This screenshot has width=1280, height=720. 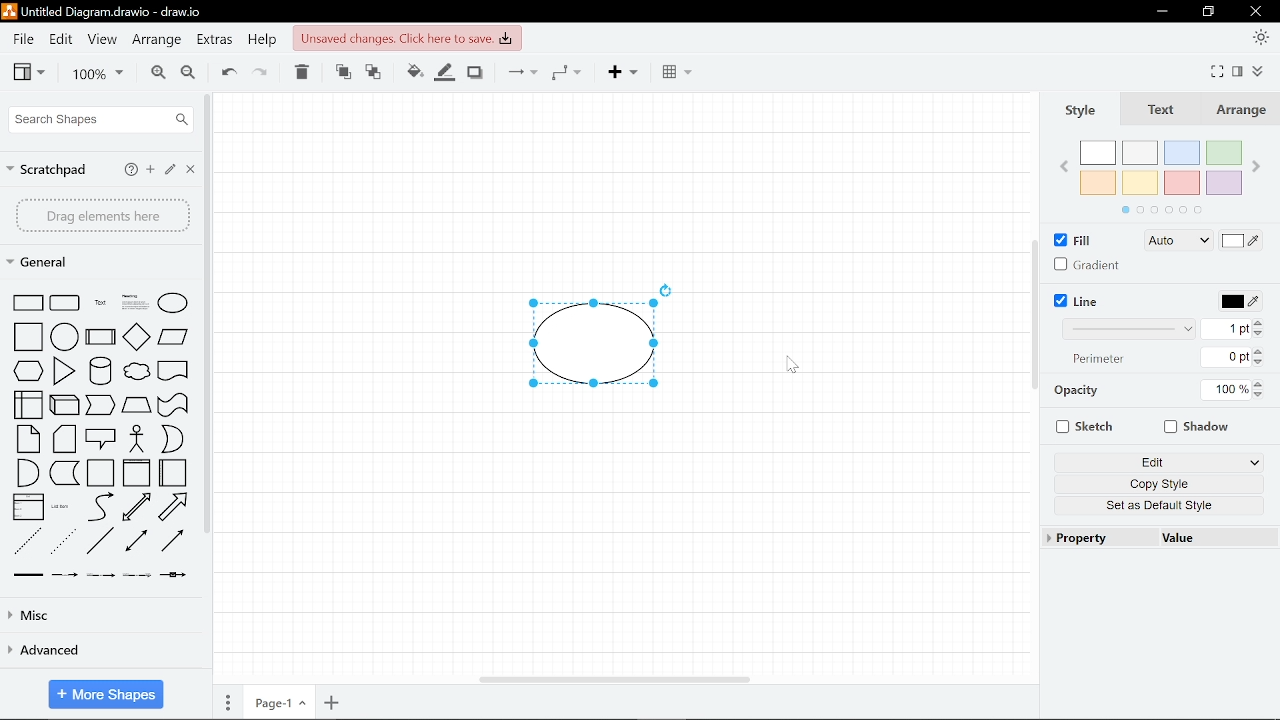 What do you see at coordinates (1088, 264) in the screenshot?
I see `Gradiant` at bounding box center [1088, 264].